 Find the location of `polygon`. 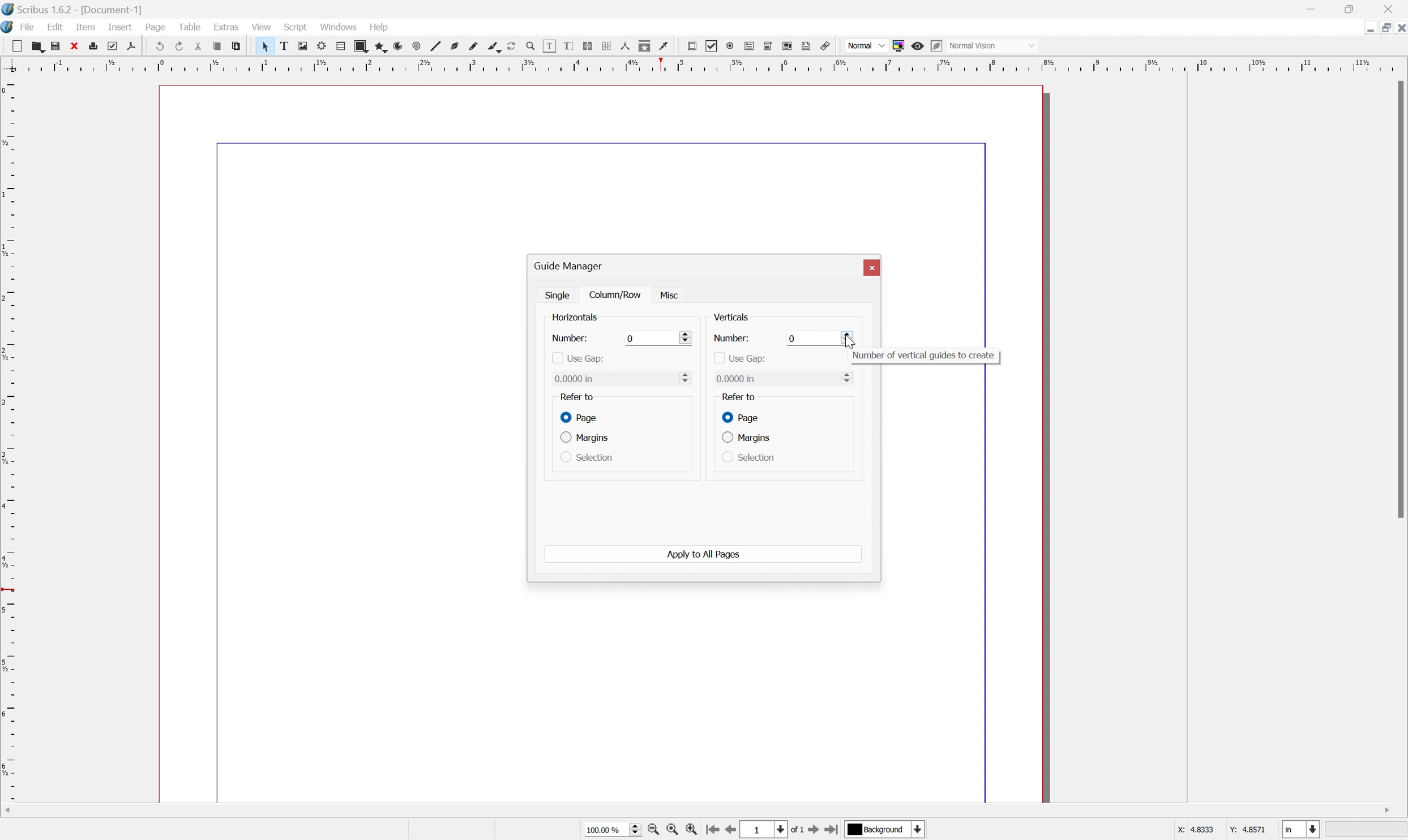

polygon is located at coordinates (380, 48).